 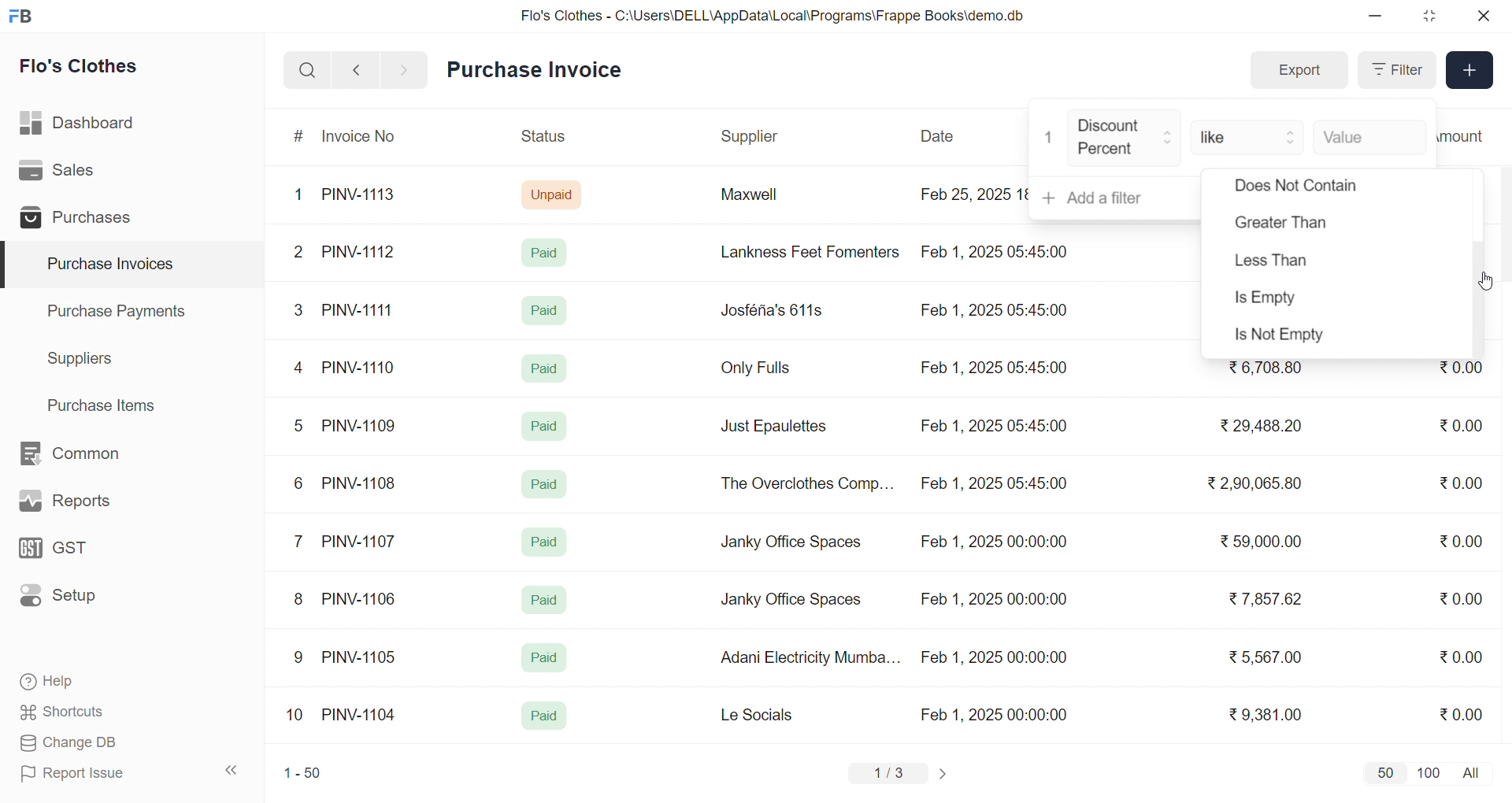 I want to click on The Overclothes Comp..., so click(x=805, y=483).